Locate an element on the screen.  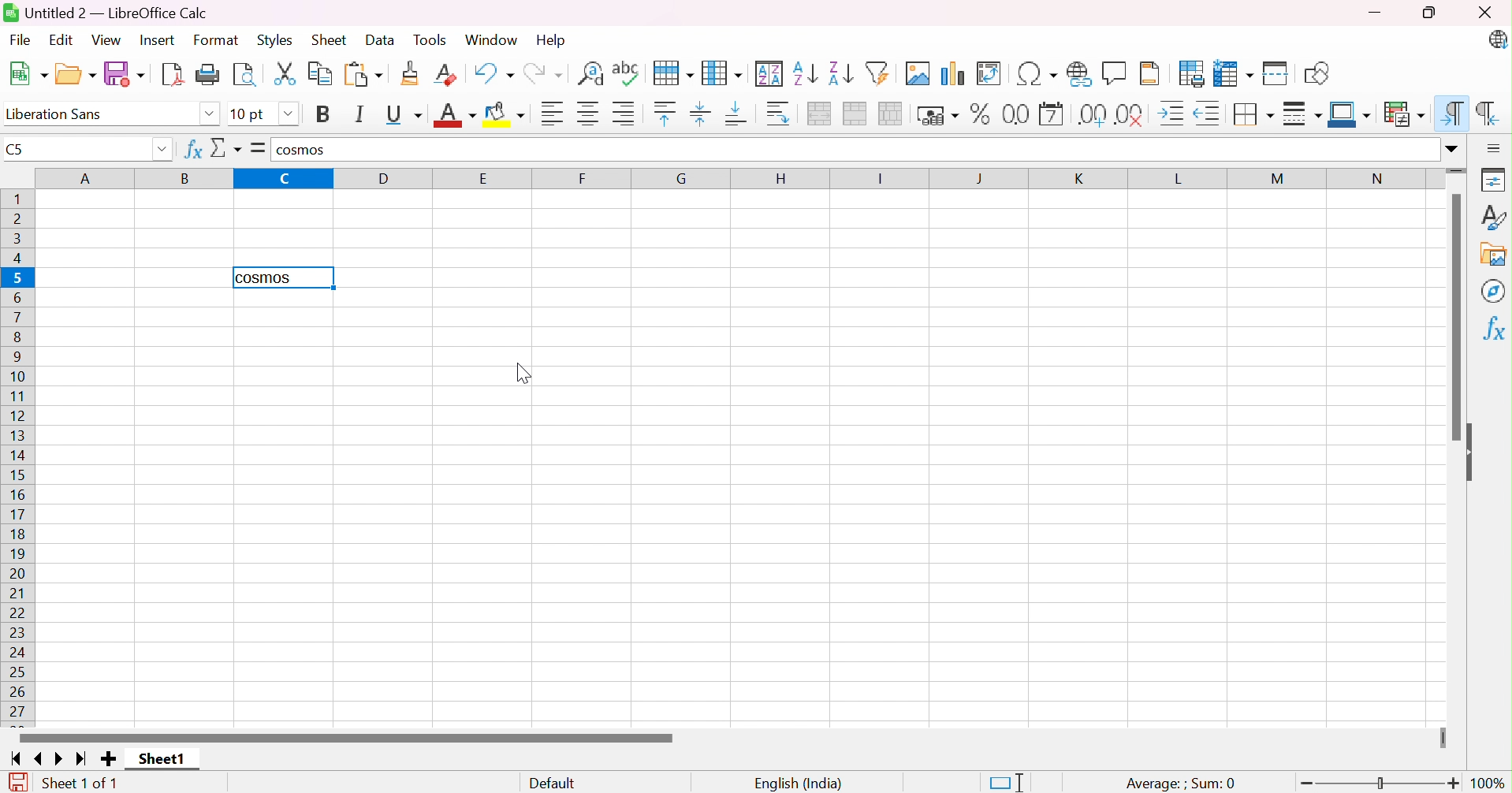
Column is located at coordinates (724, 72).